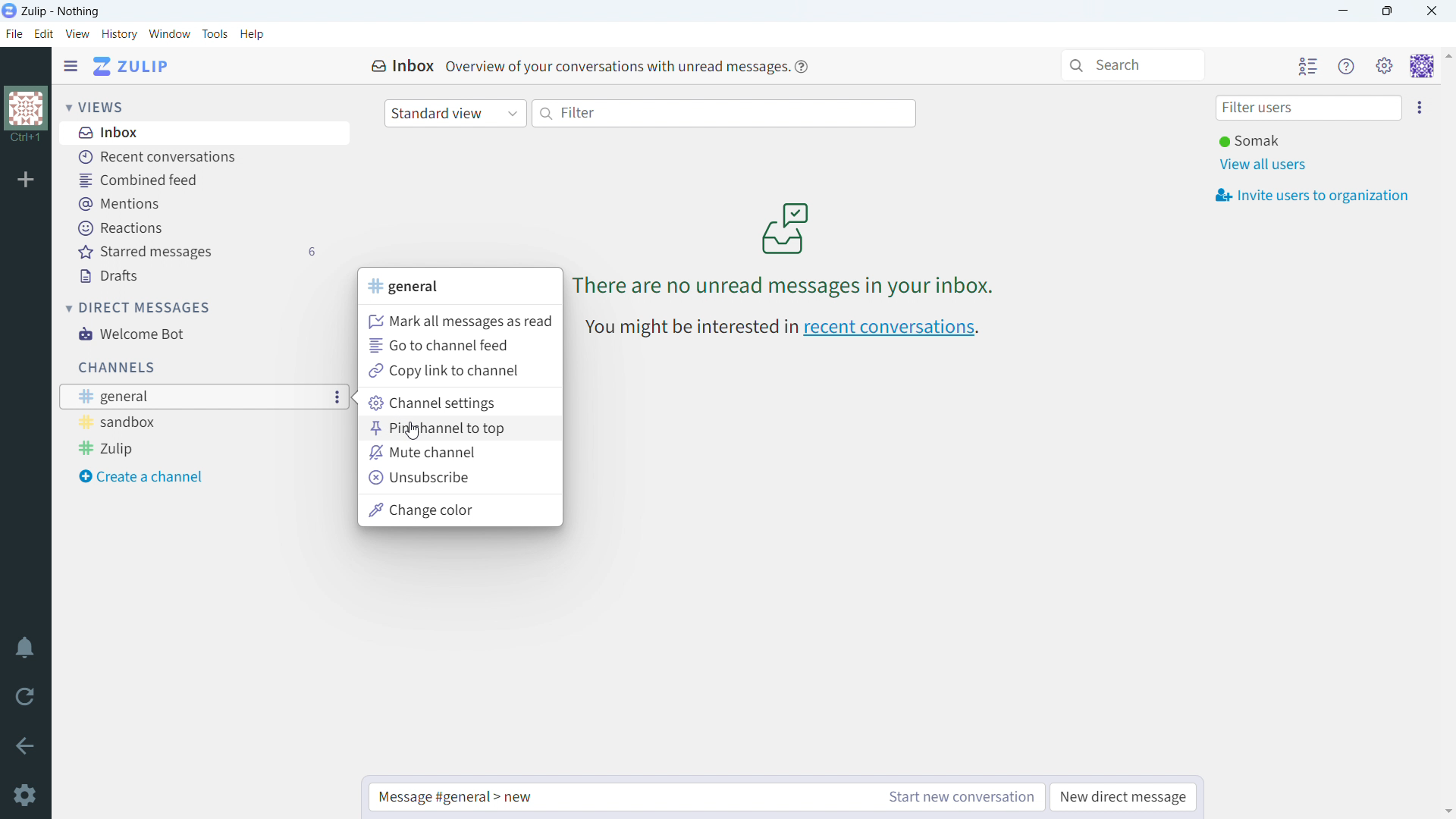 This screenshot has height=819, width=1456. What do you see at coordinates (338, 397) in the screenshot?
I see `options` at bounding box center [338, 397].